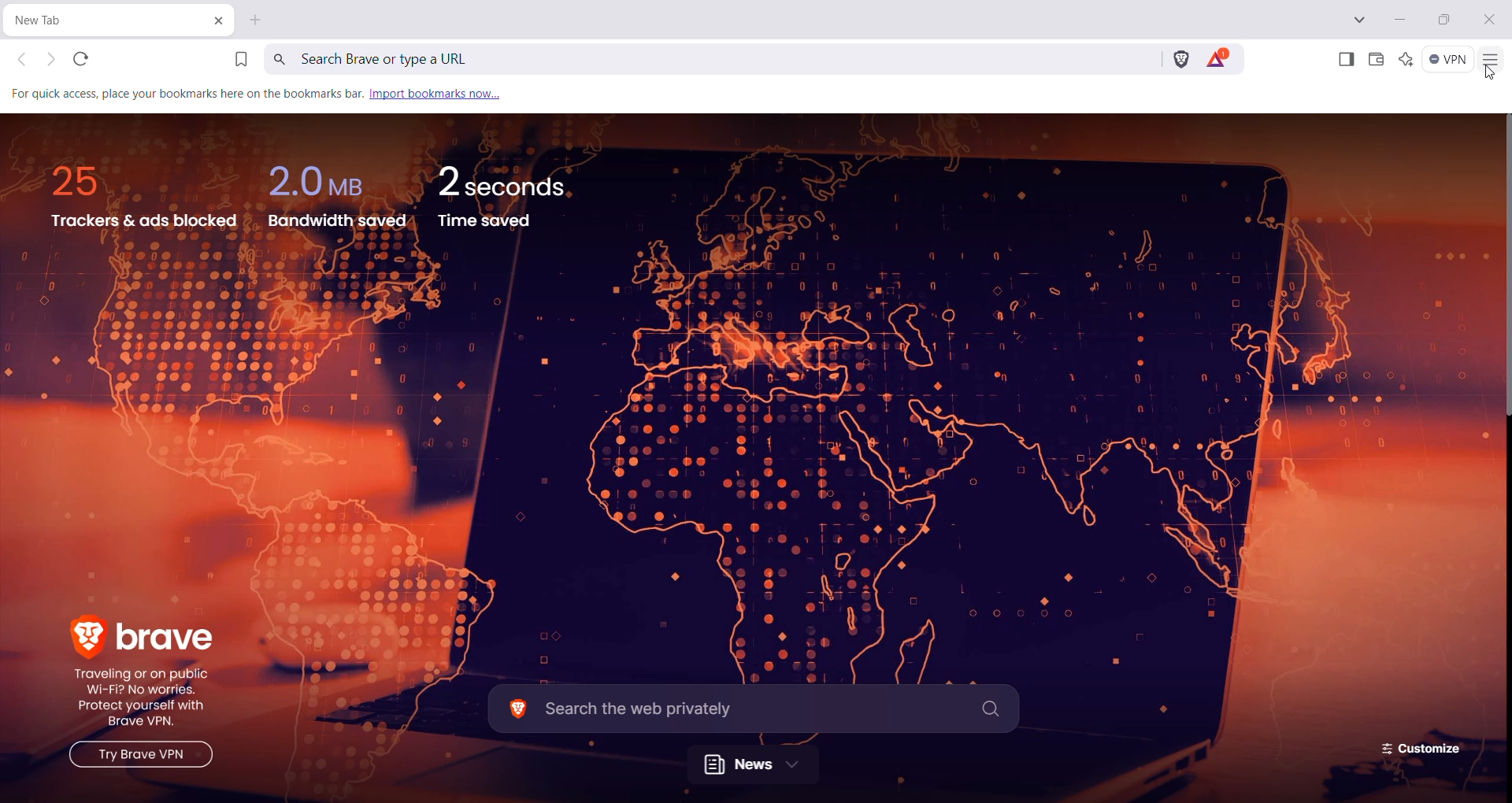 The height and width of the screenshot is (803, 1512). What do you see at coordinates (1490, 73) in the screenshot?
I see `cursor` at bounding box center [1490, 73].